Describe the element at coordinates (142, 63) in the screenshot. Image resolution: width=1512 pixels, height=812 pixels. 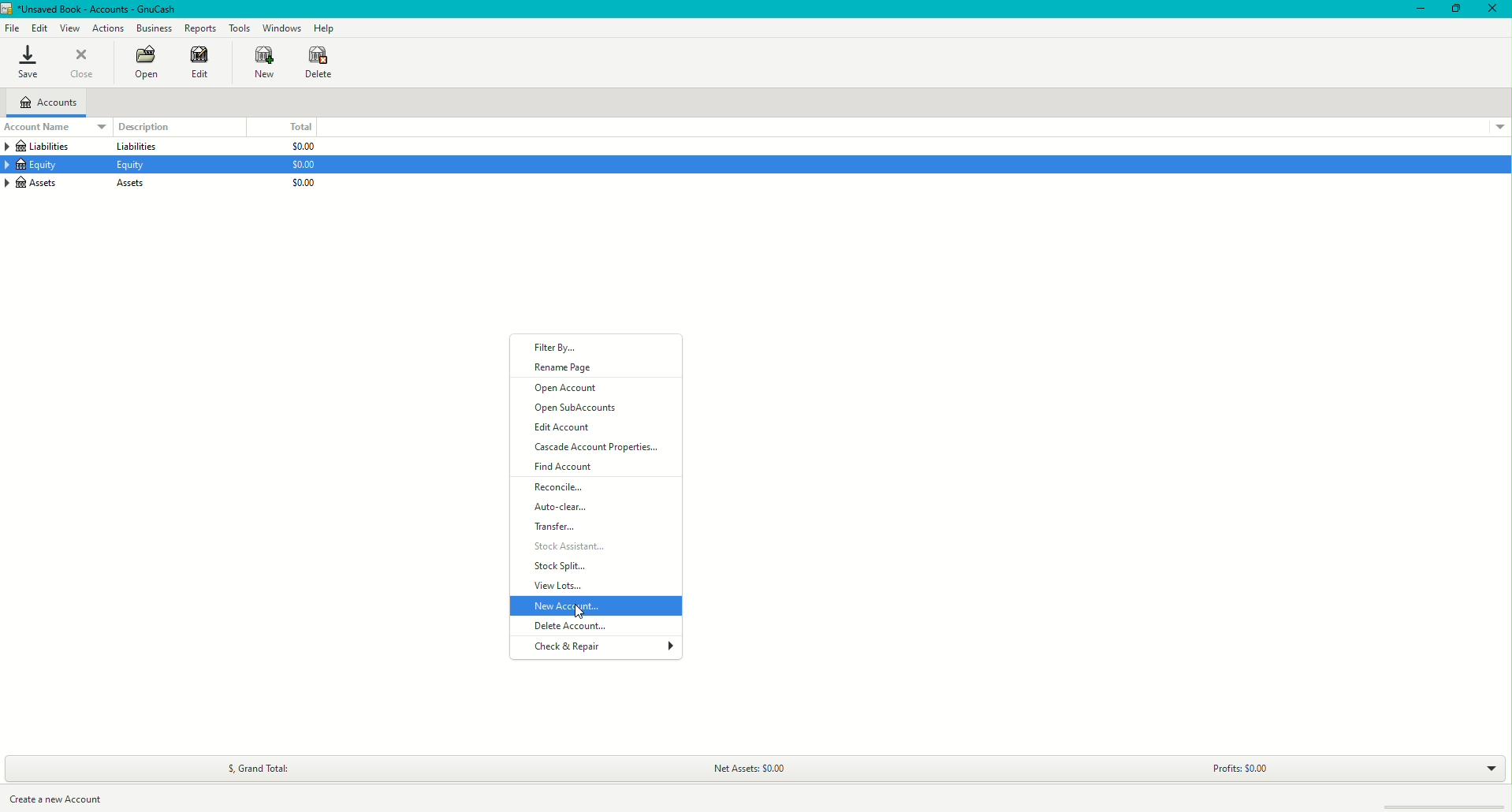
I see `Open` at that location.